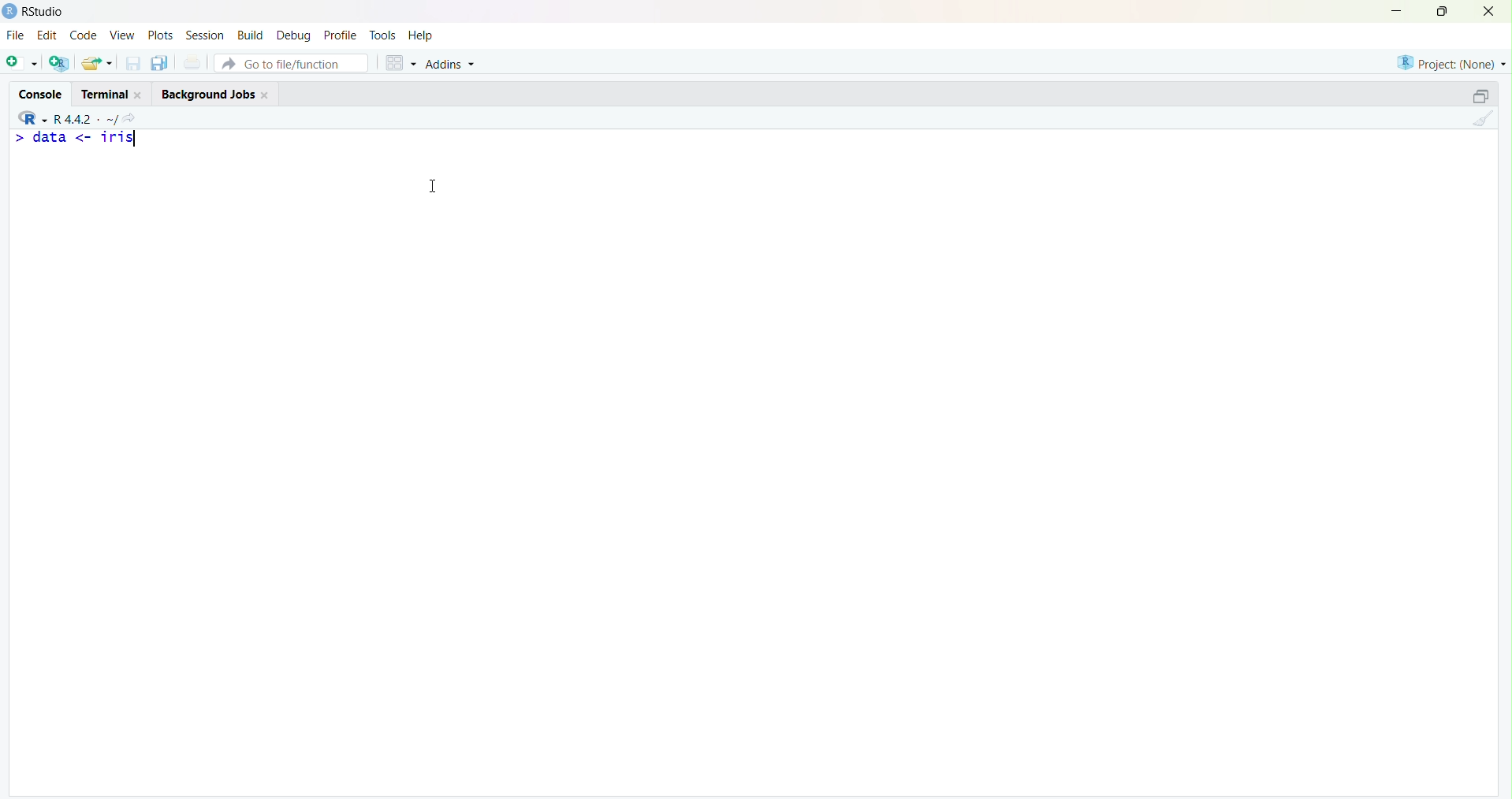 The width and height of the screenshot is (1512, 799). Describe the element at coordinates (121, 35) in the screenshot. I see `View` at that location.